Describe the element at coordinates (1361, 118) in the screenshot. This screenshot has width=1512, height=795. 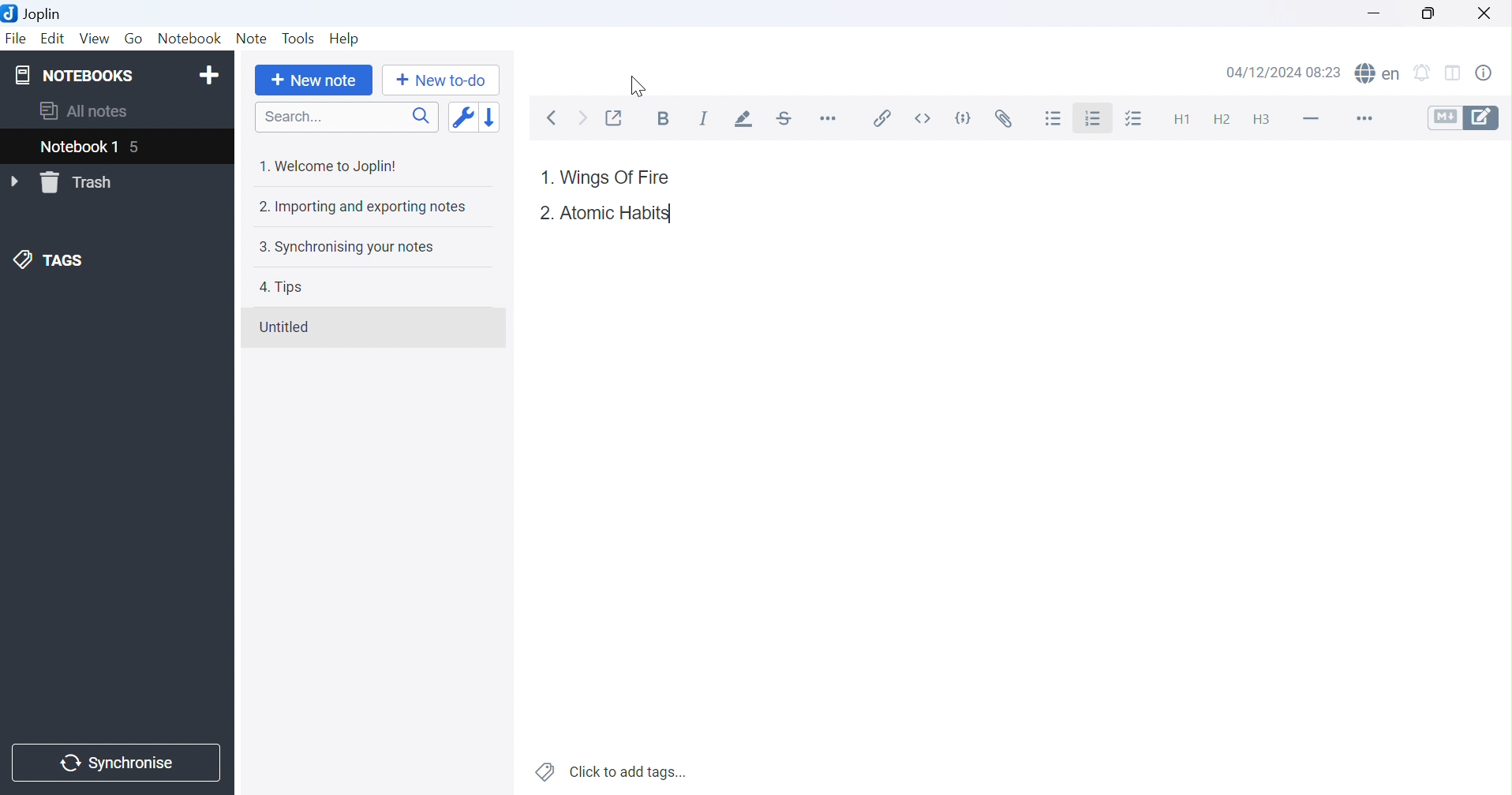
I see `More` at that location.